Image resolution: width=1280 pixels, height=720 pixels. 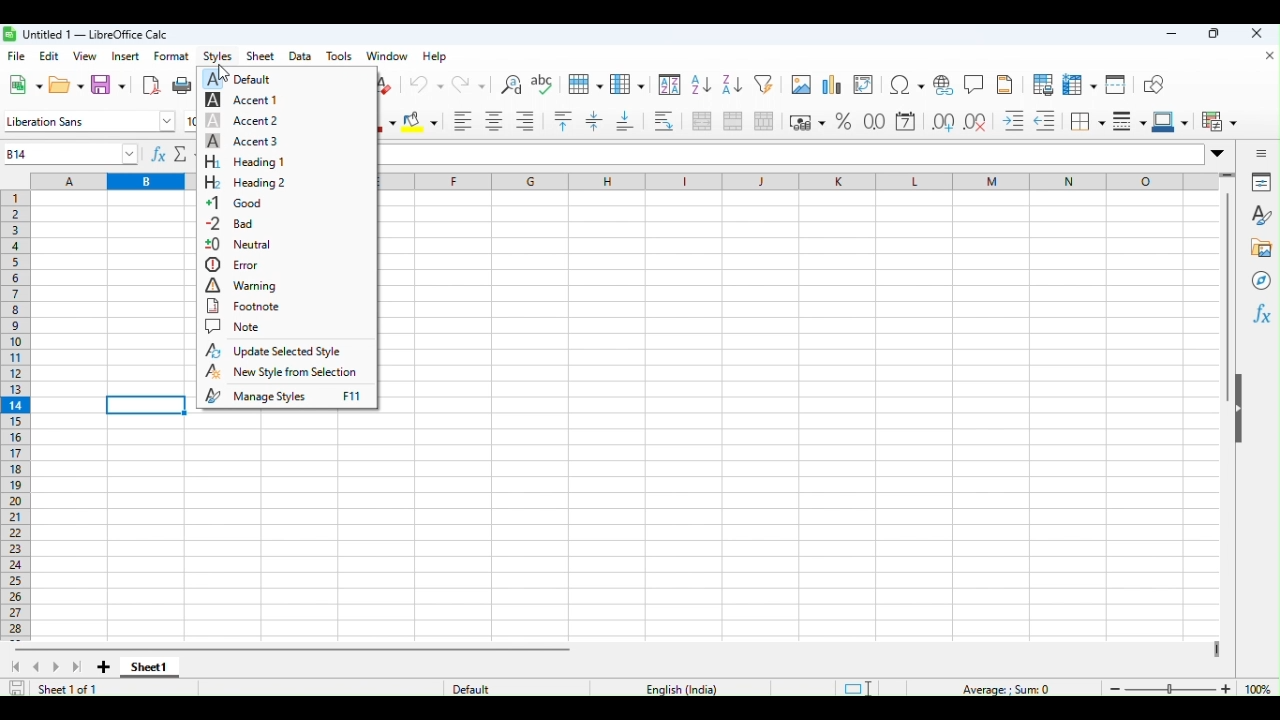 What do you see at coordinates (38, 667) in the screenshot?
I see `Previous sheet` at bounding box center [38, 667].